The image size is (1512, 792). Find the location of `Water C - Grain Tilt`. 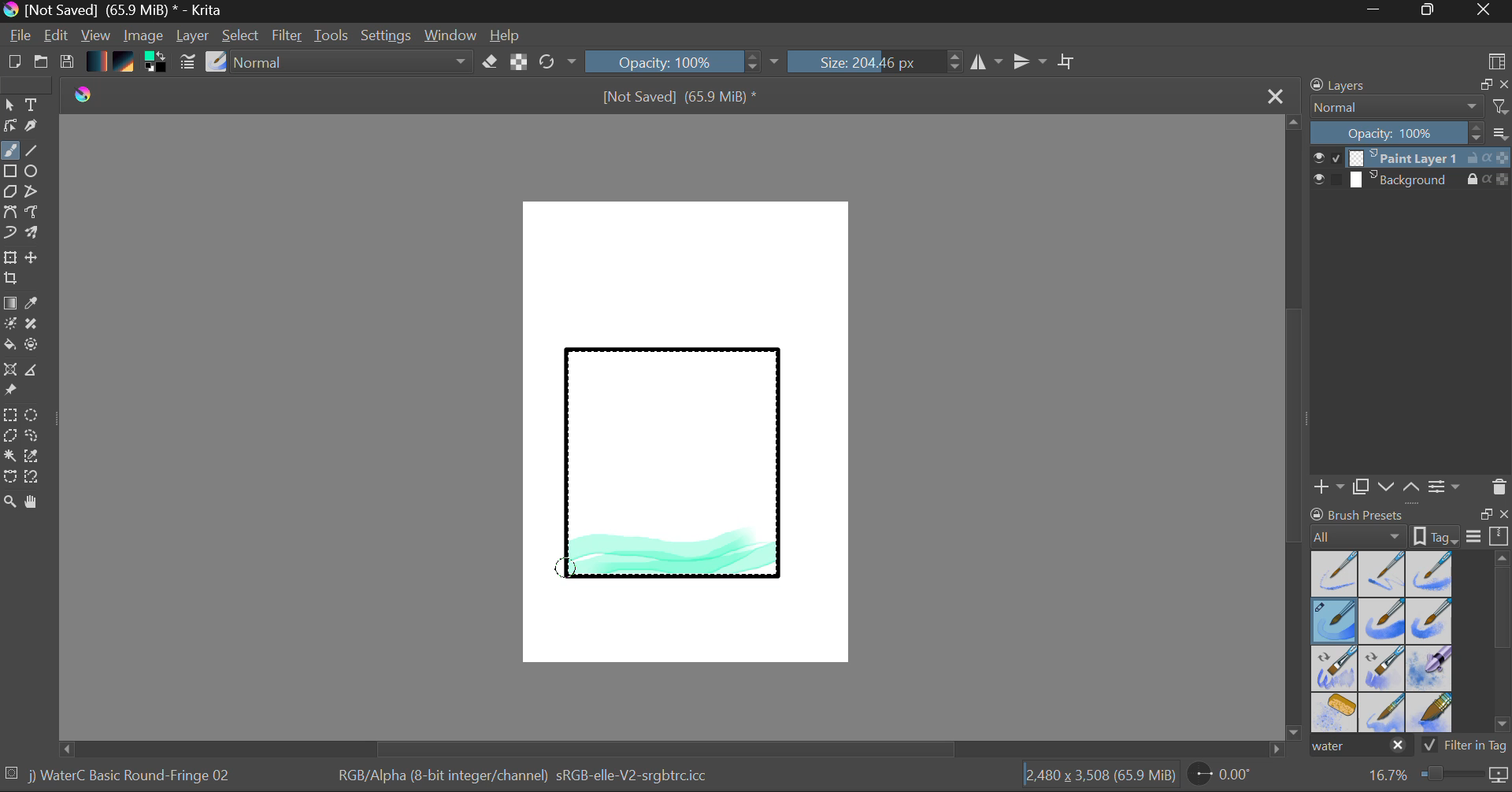

Water C - Grain Tilt is located at coordinates (1336, 668).